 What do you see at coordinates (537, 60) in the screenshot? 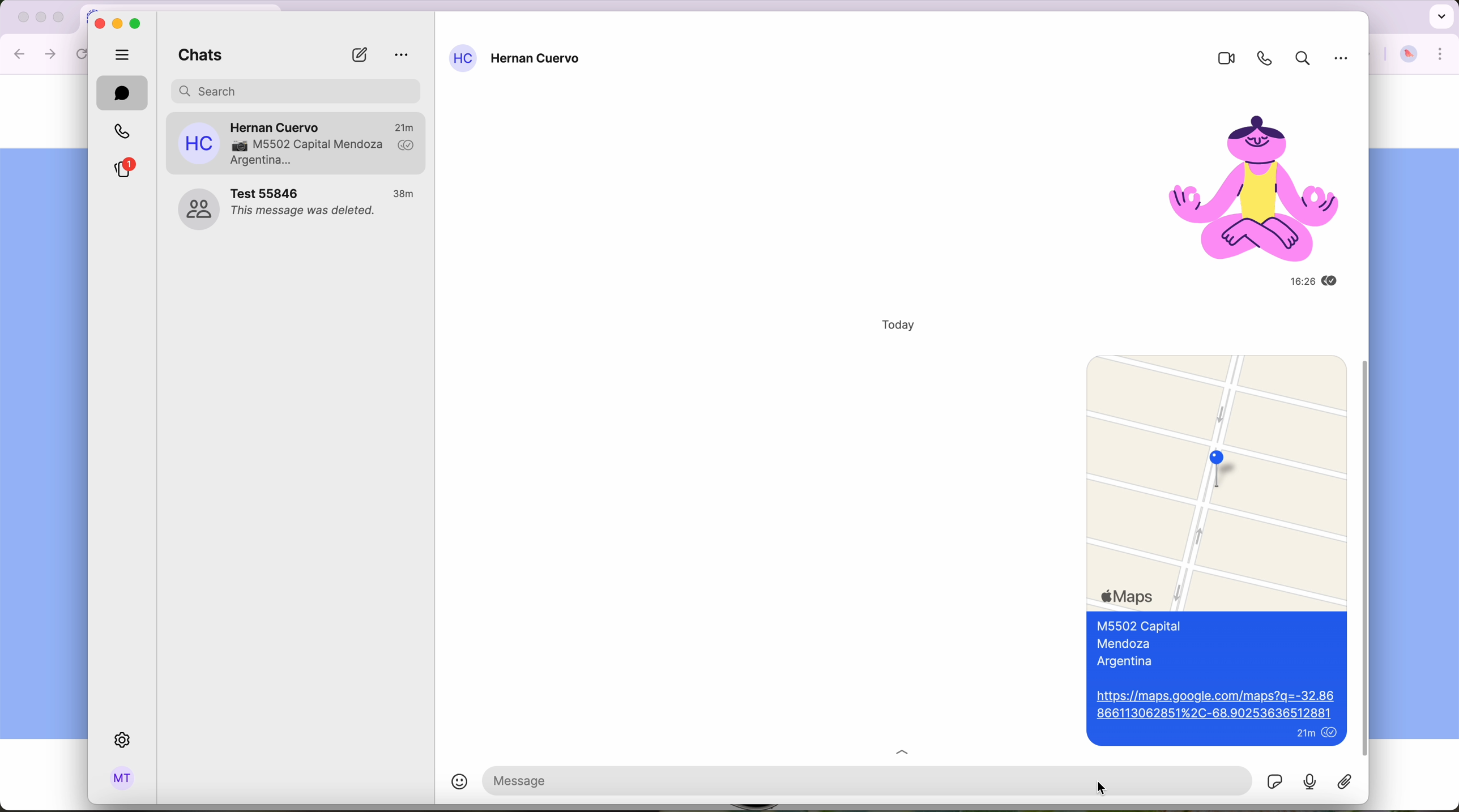
I see `Hernan Cuervo` at bounding box center [537, 60].